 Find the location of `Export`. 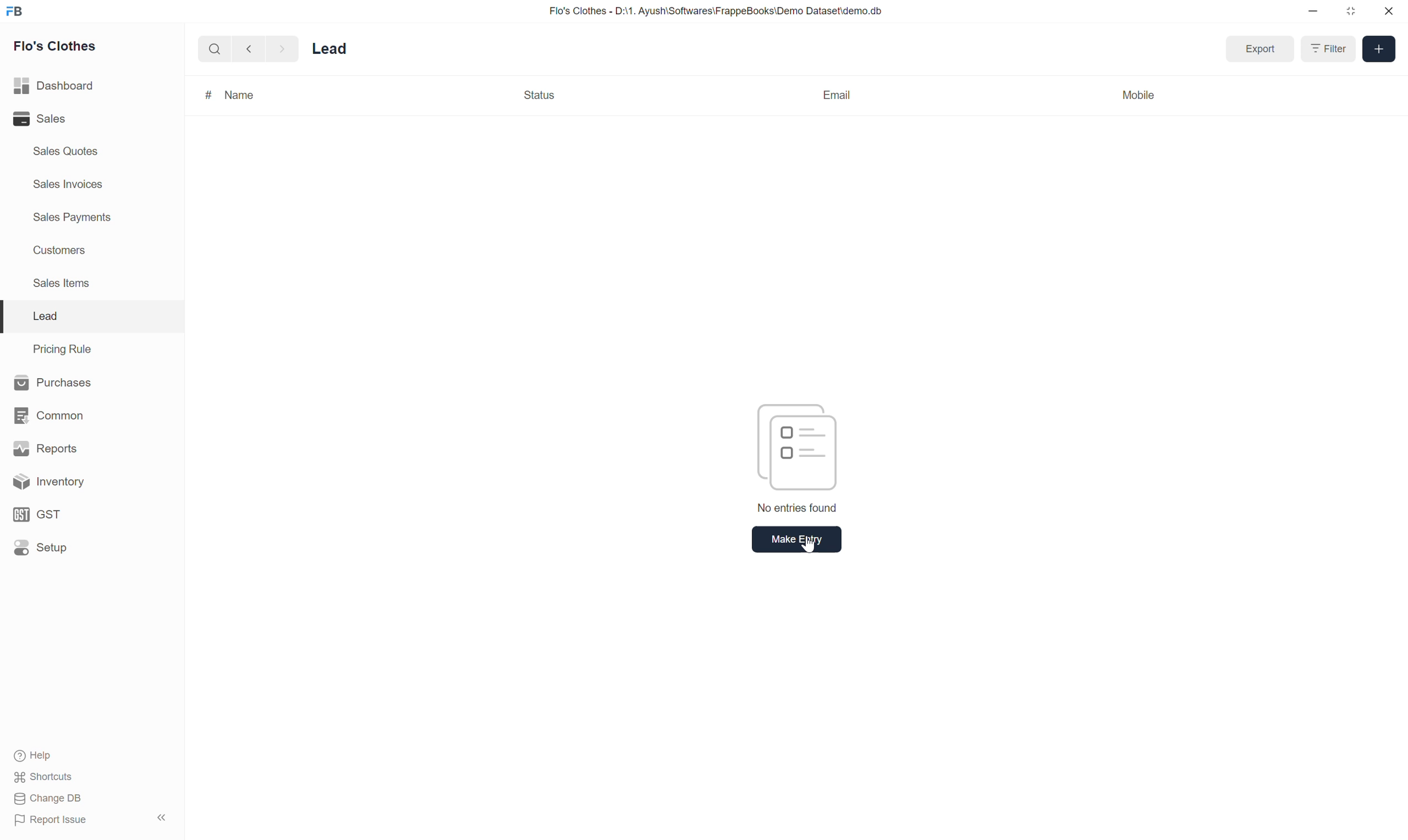

Export is located at coordinates (1257, 48).